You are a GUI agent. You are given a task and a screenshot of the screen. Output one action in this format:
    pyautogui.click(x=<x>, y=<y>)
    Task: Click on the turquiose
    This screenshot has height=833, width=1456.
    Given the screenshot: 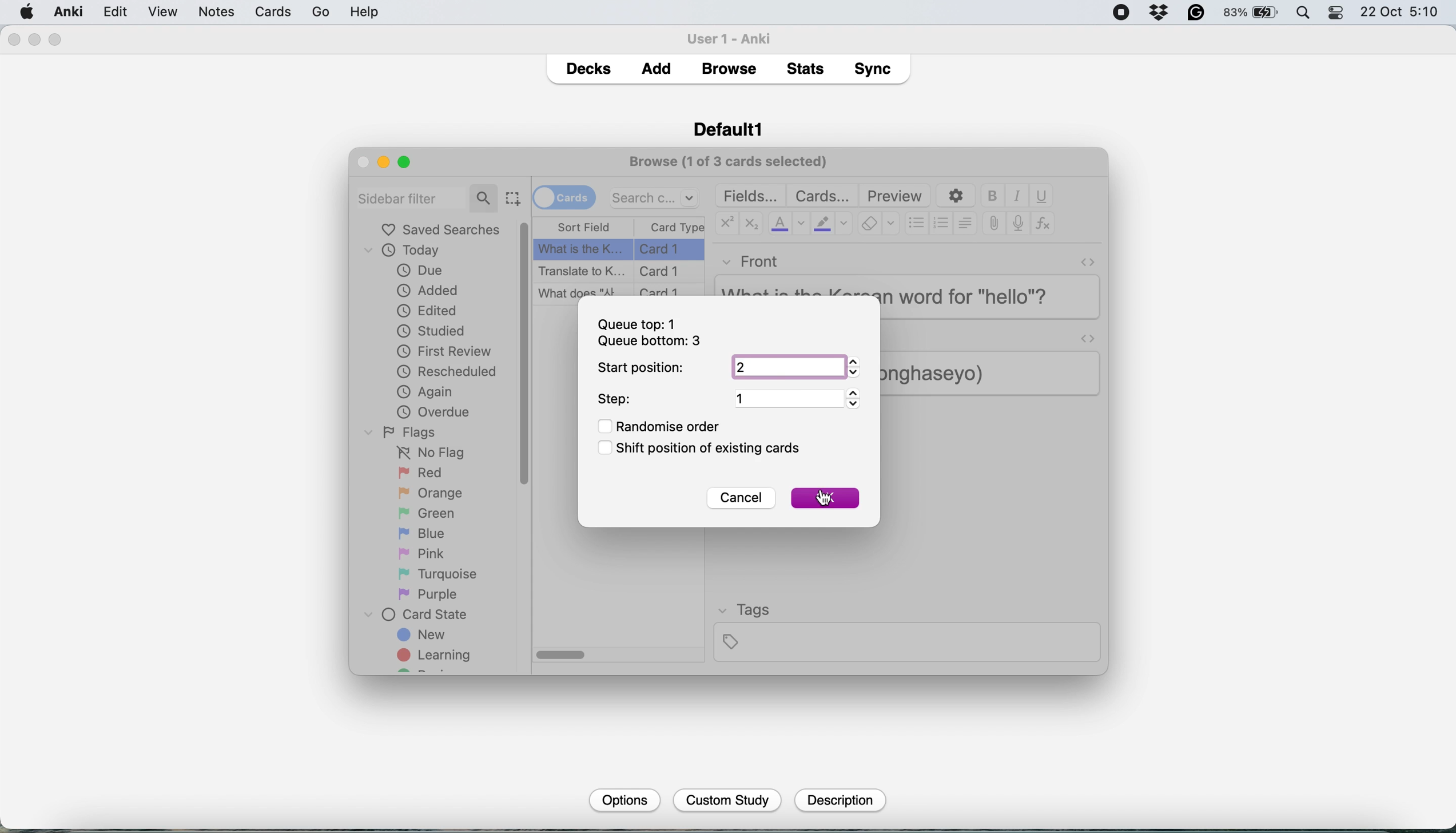 What is the action you would take?
    pyautogui.click(x=435, y=574)
    